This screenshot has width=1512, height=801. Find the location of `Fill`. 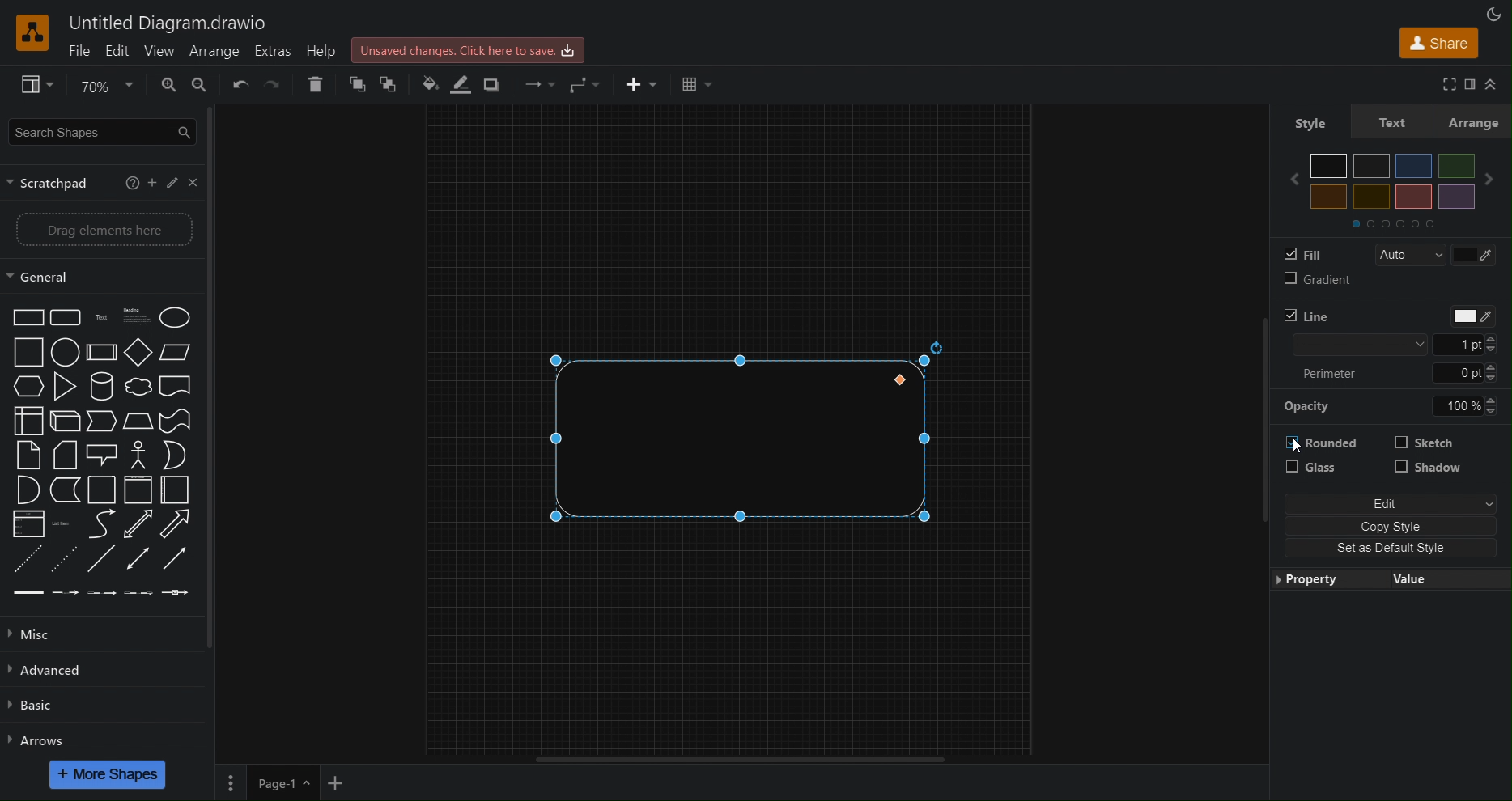

Fill is located at coordinates (1303, 254).